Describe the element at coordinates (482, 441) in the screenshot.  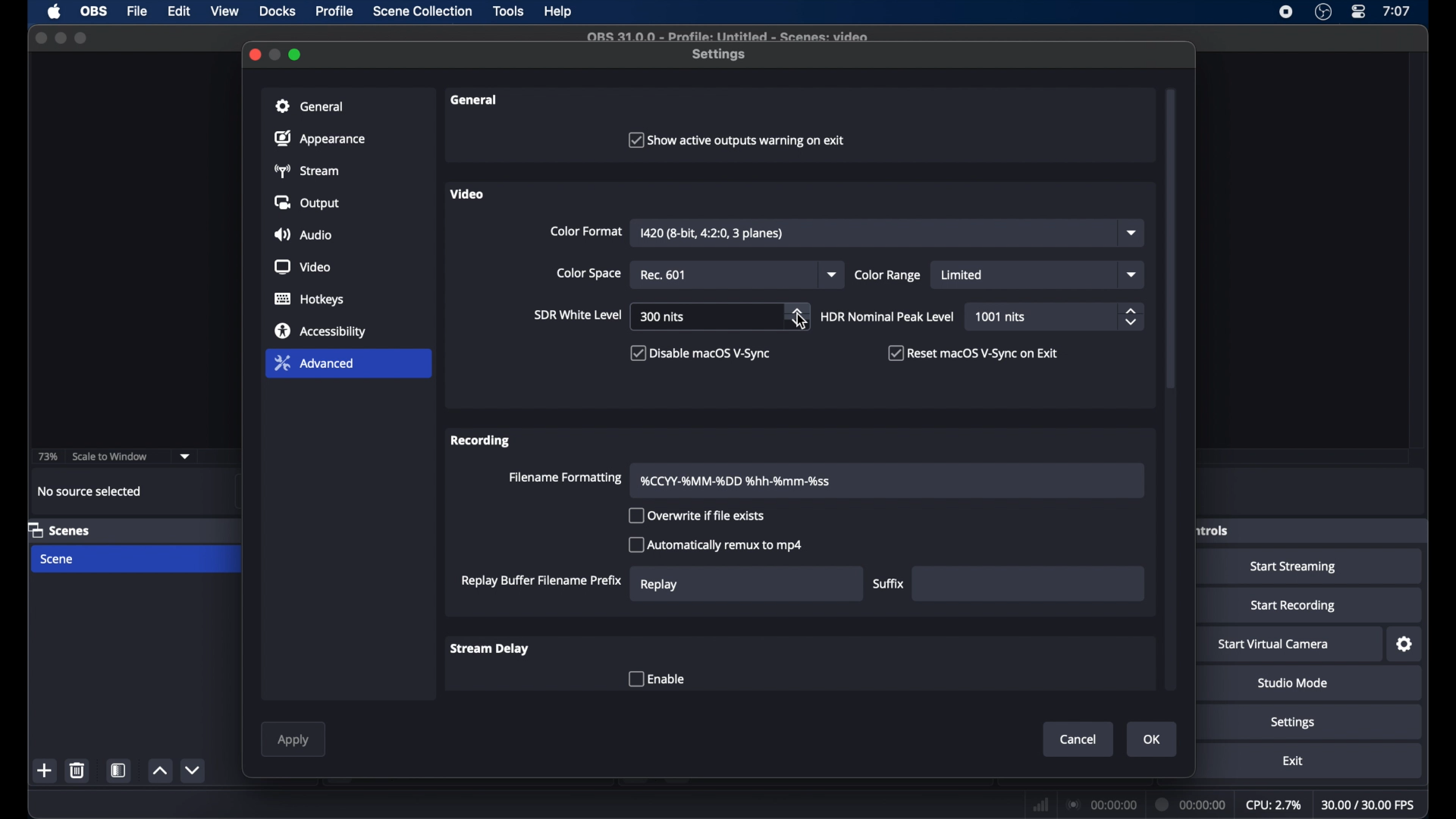
I see `recording` at that location.